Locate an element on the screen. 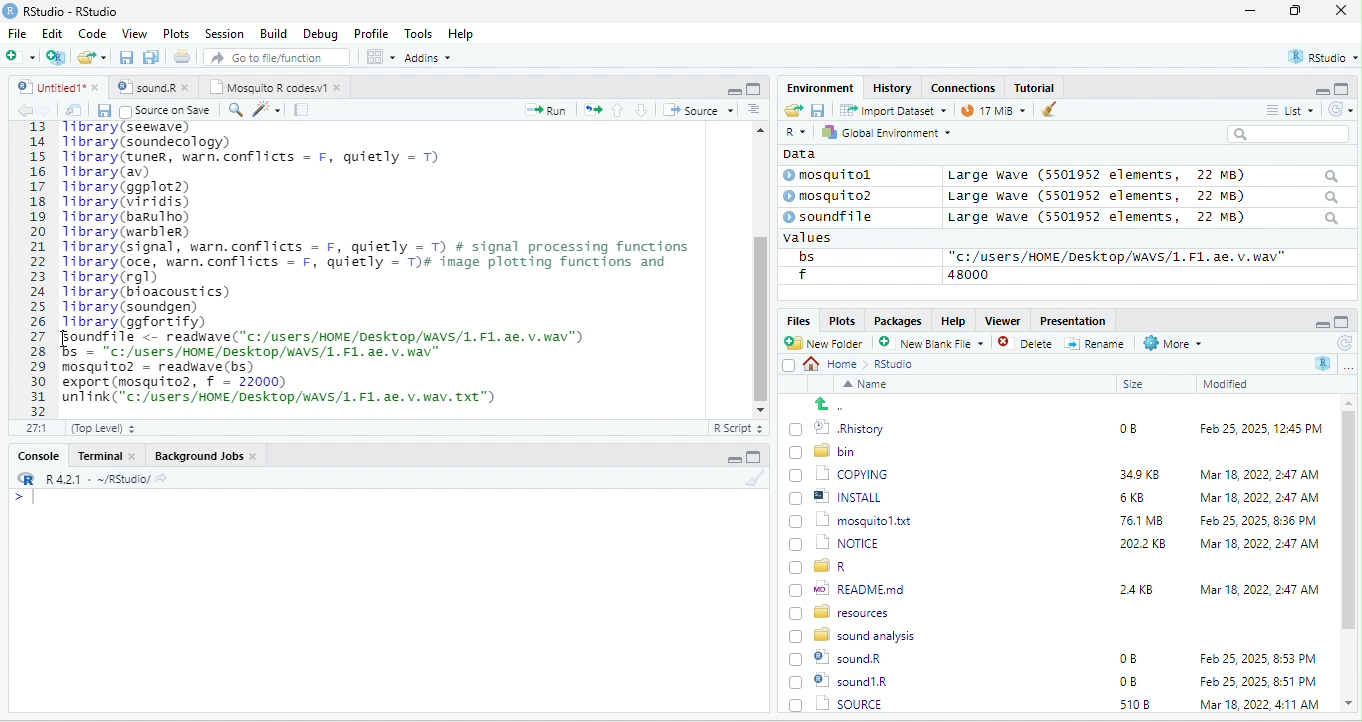 This screenshot has width=1362, height=722. maximize is located at coordinates (1299, 12).